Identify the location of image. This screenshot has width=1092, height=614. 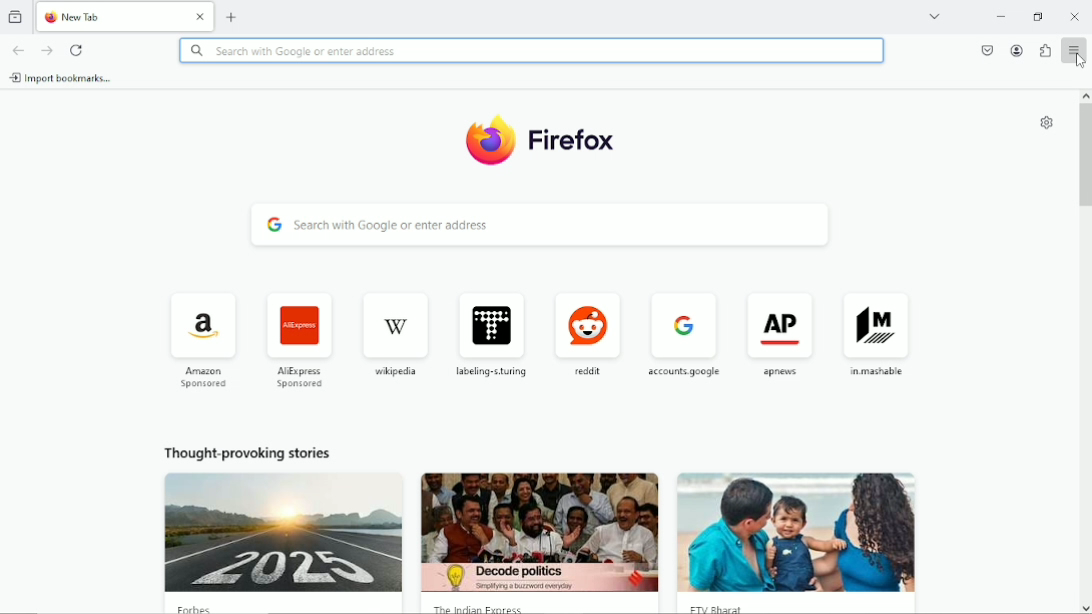
(284, 534).